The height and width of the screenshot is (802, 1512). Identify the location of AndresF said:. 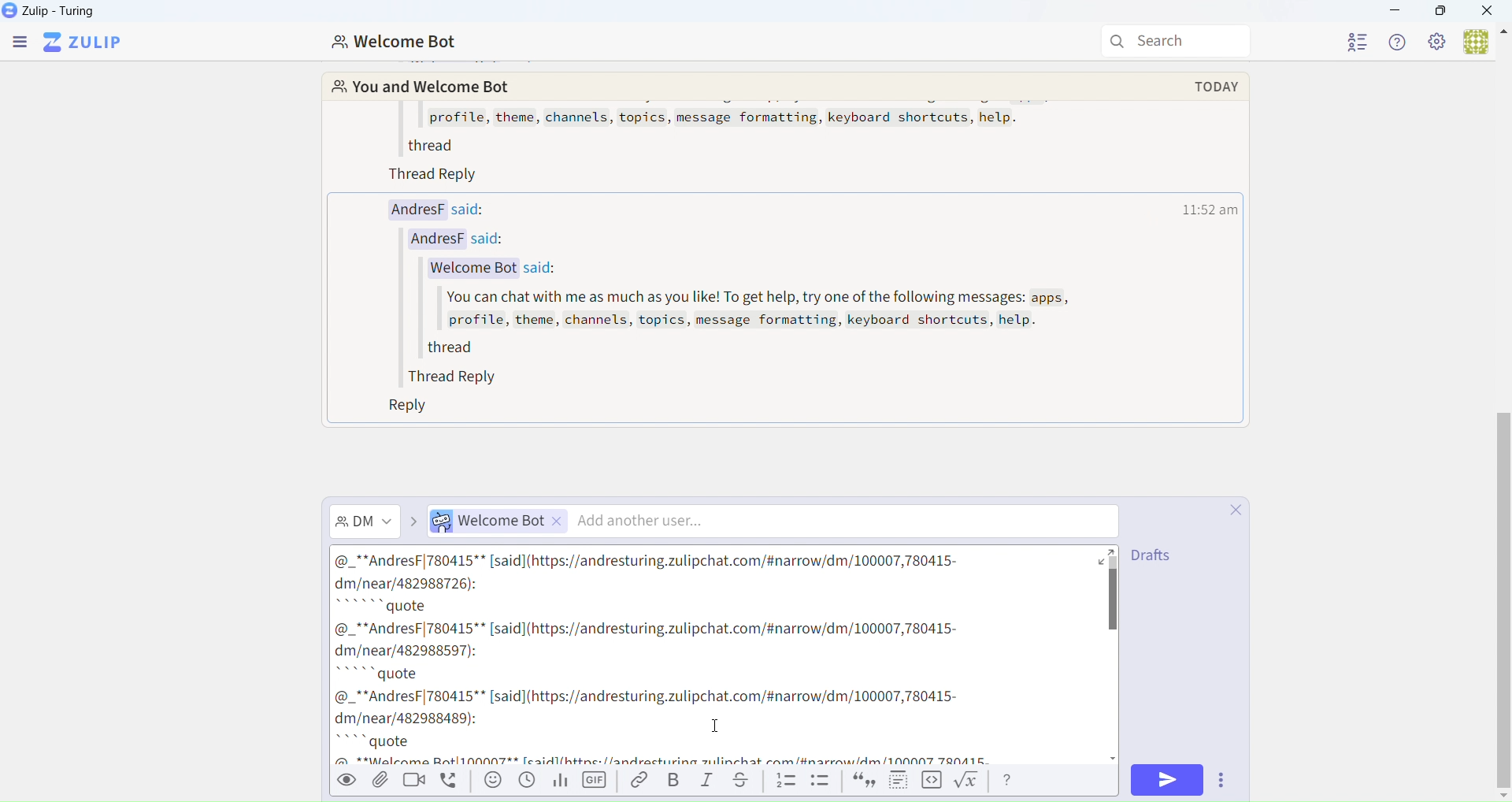
(429, 208).